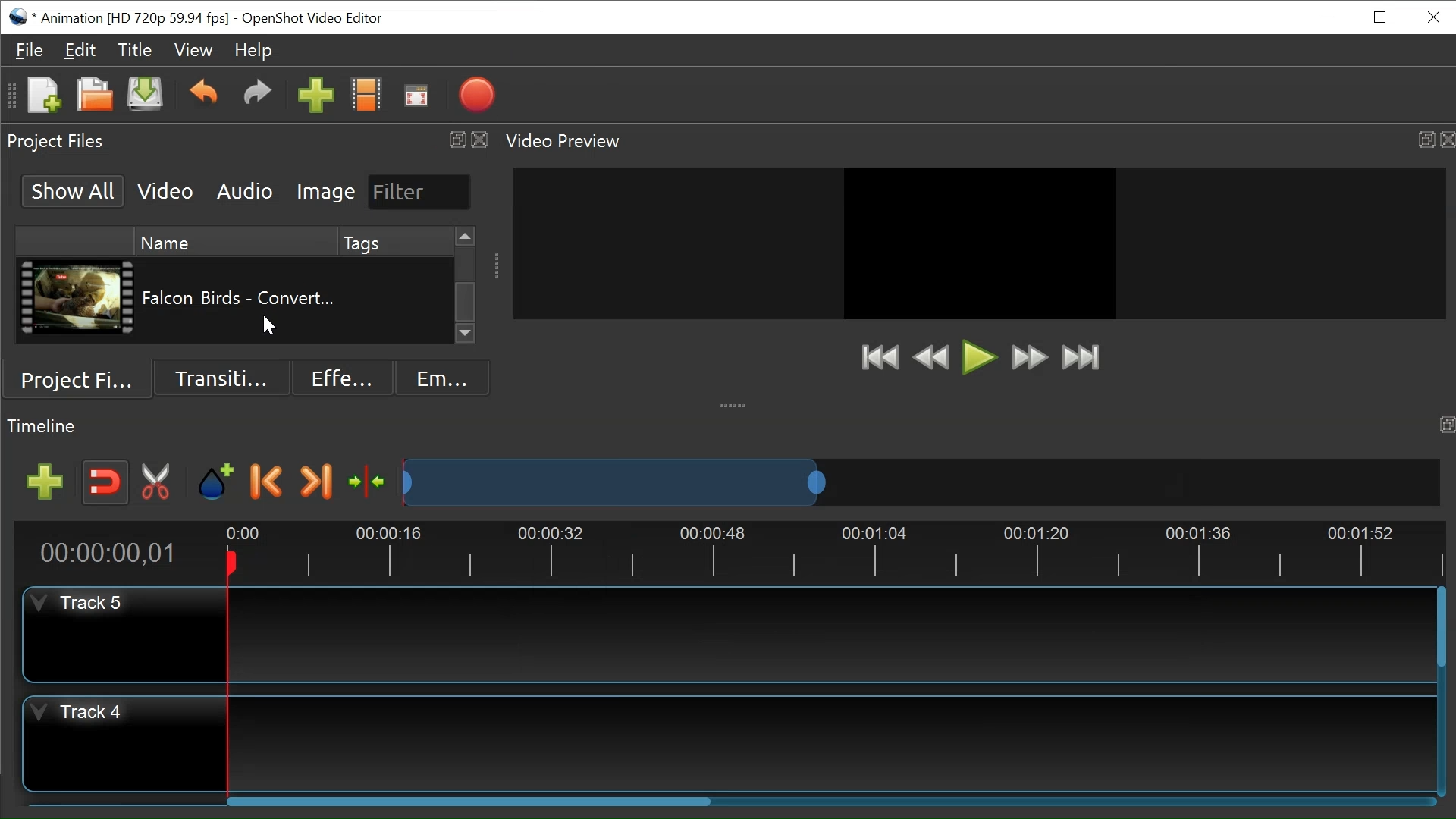 Image resolution: width=1456 pixels, height=819 pixels. Describe the element at coordinates (160, 482) in the screenshot. I see `Razor` at that location.